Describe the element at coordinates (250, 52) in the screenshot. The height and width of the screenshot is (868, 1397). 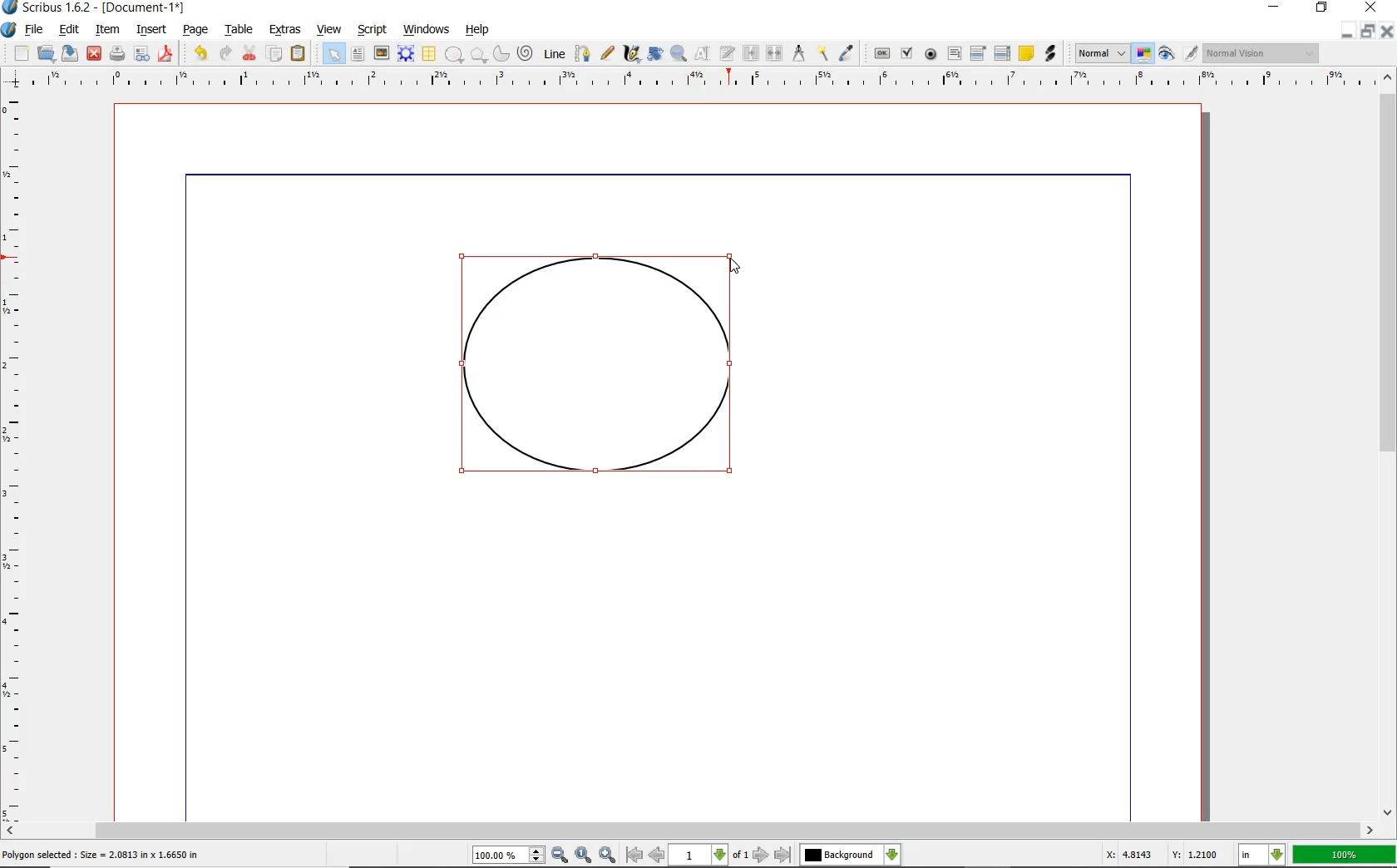
I see `CUT` at that location.